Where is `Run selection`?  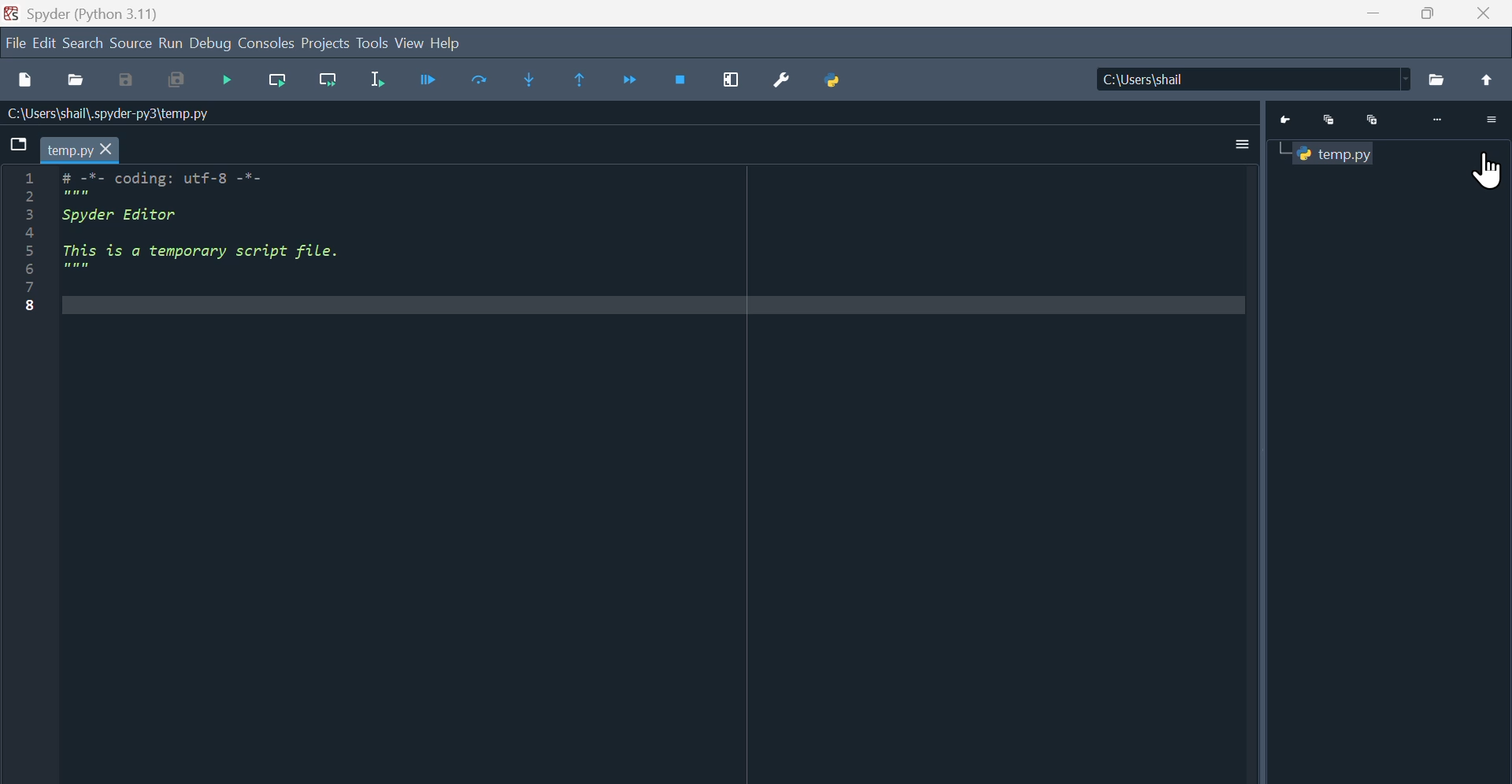
Run selection is located at coordinates (380, 80).